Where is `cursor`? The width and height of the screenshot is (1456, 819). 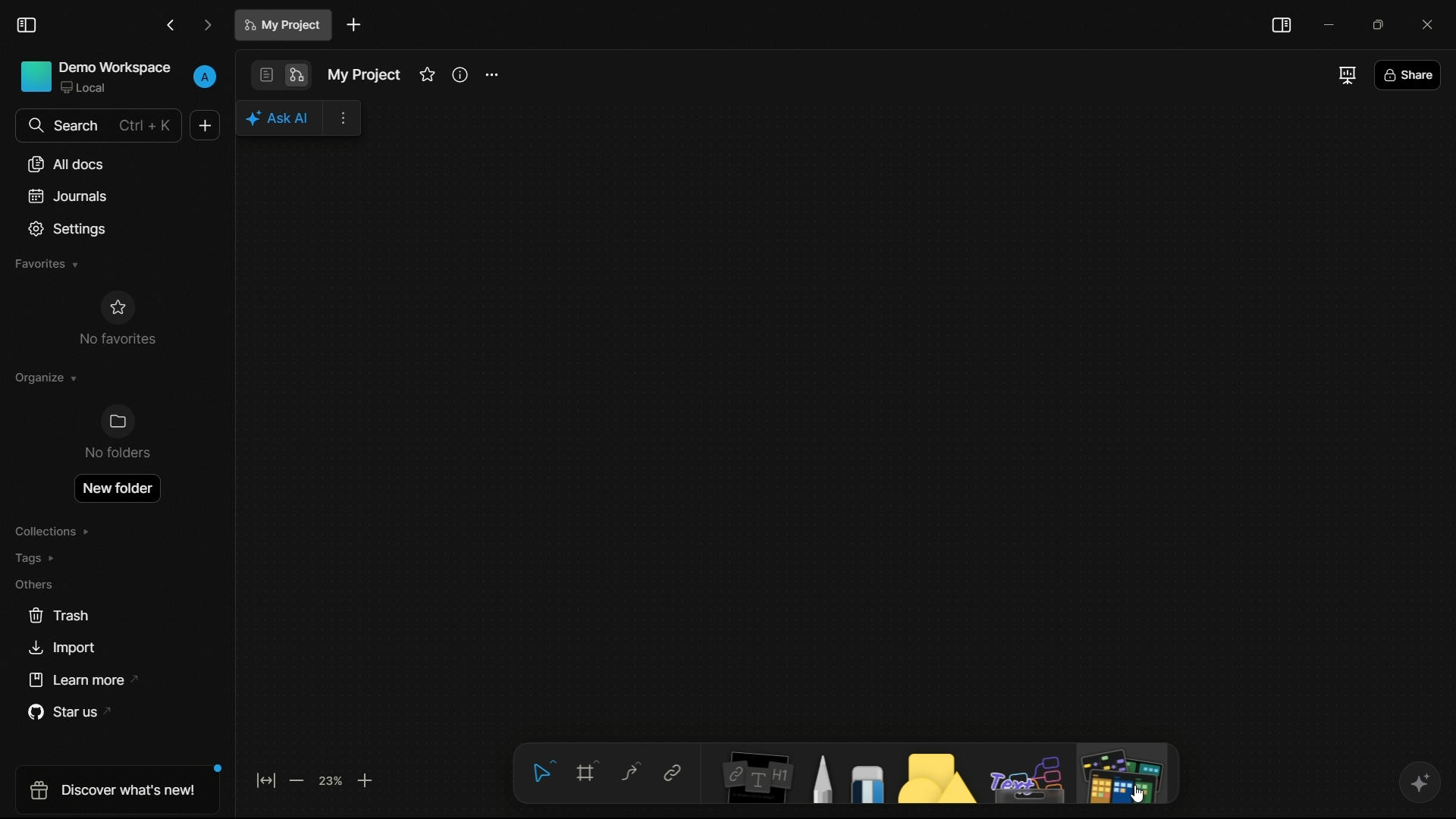 cursor is located at coordinates (1137, 796).